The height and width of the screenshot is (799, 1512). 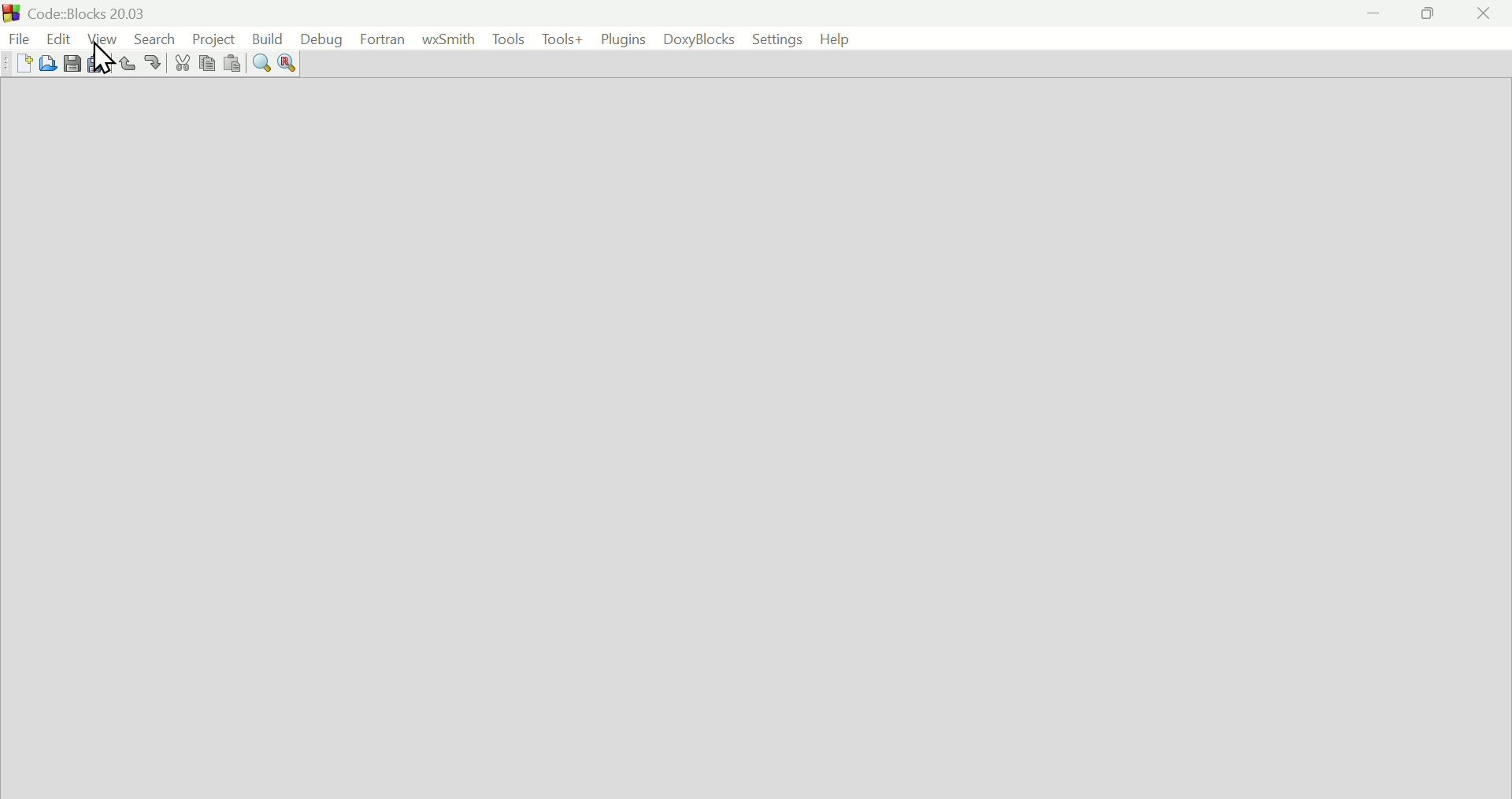 I want to click on Project, so click(x=210, y=37).